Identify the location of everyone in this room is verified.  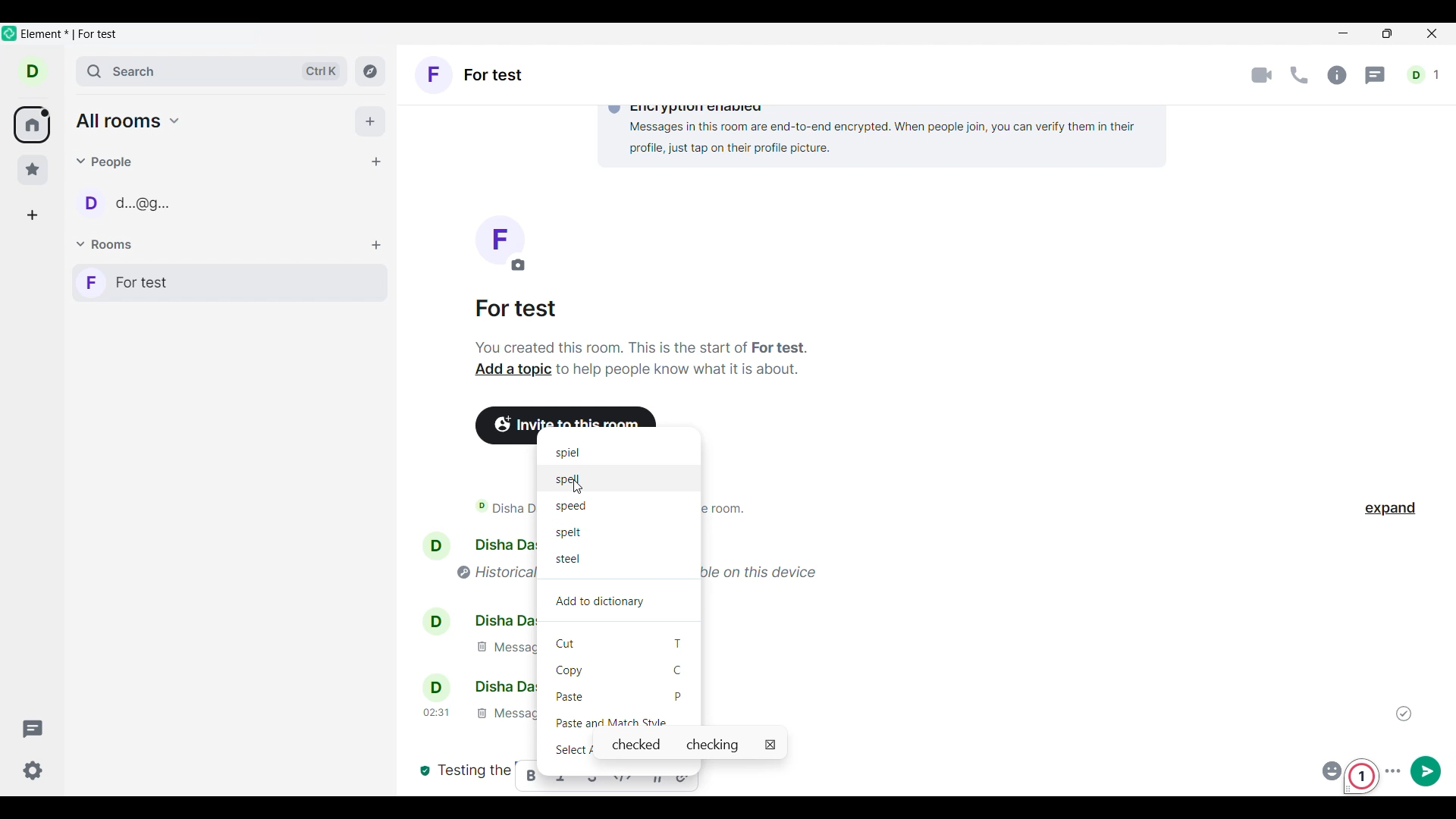
(423, 769).